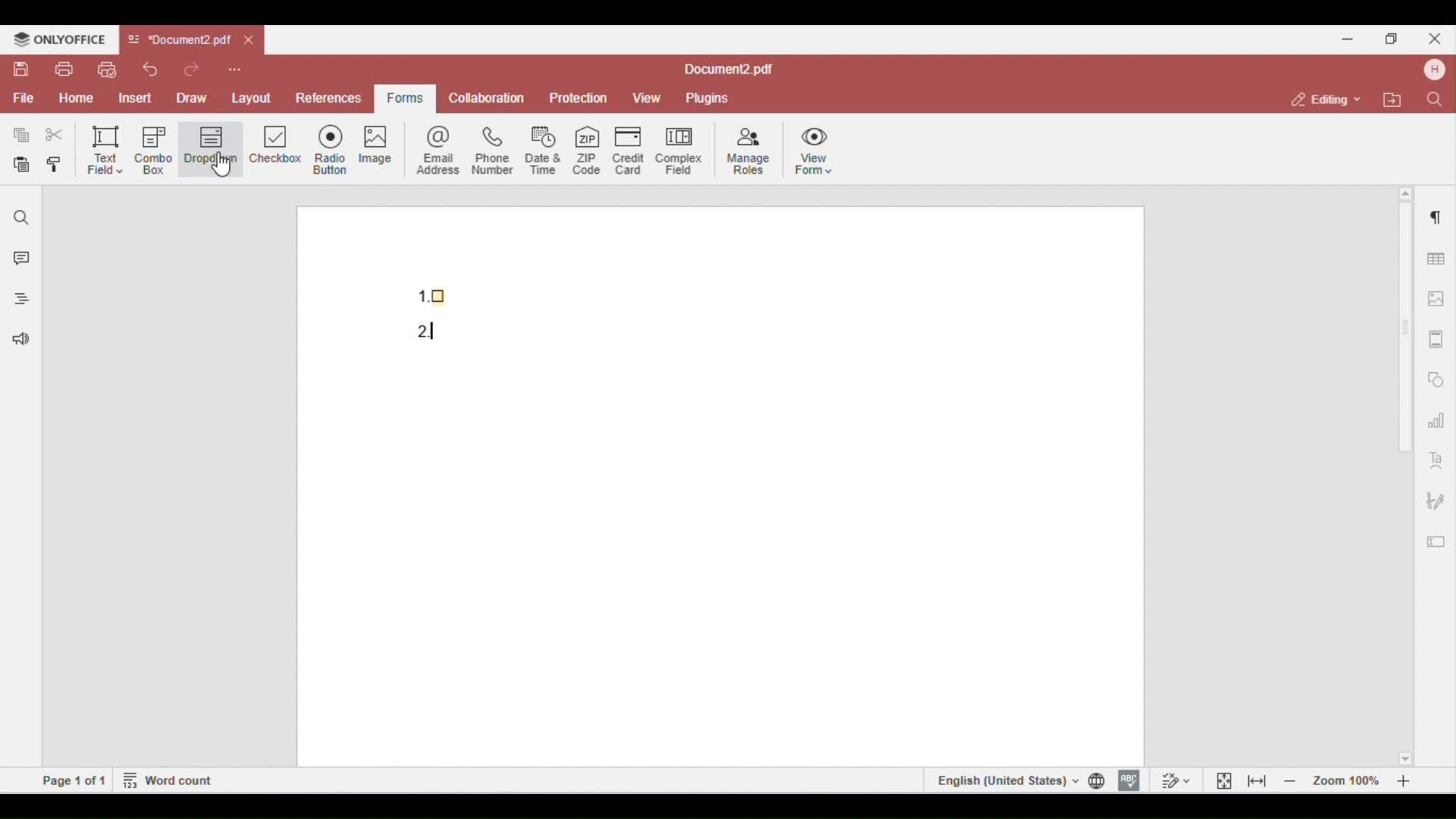 This screenshot has height=819, width=1456. Describe the element at coordinates (22, 218) in the screenshot. I see `find` at that location.